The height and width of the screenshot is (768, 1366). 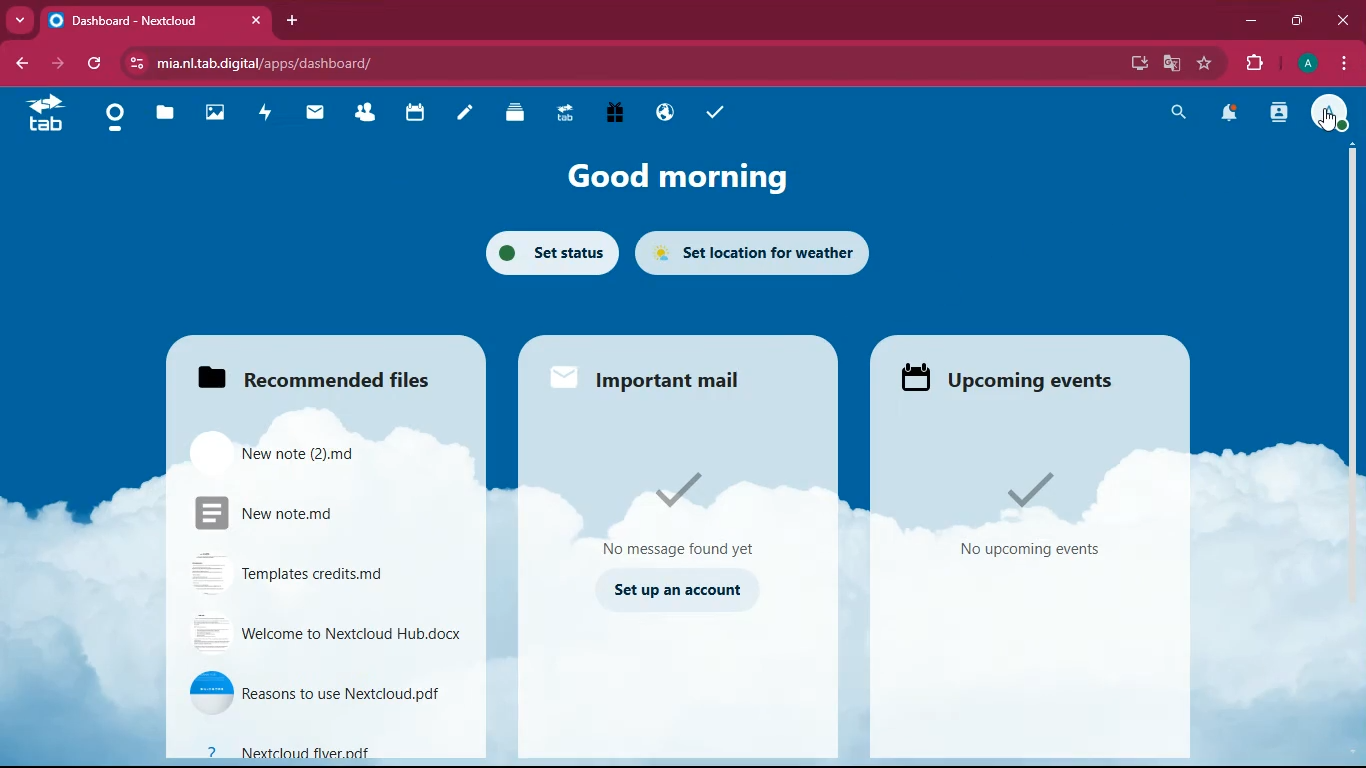 I want to click on set location, so click(x=762, y=256).